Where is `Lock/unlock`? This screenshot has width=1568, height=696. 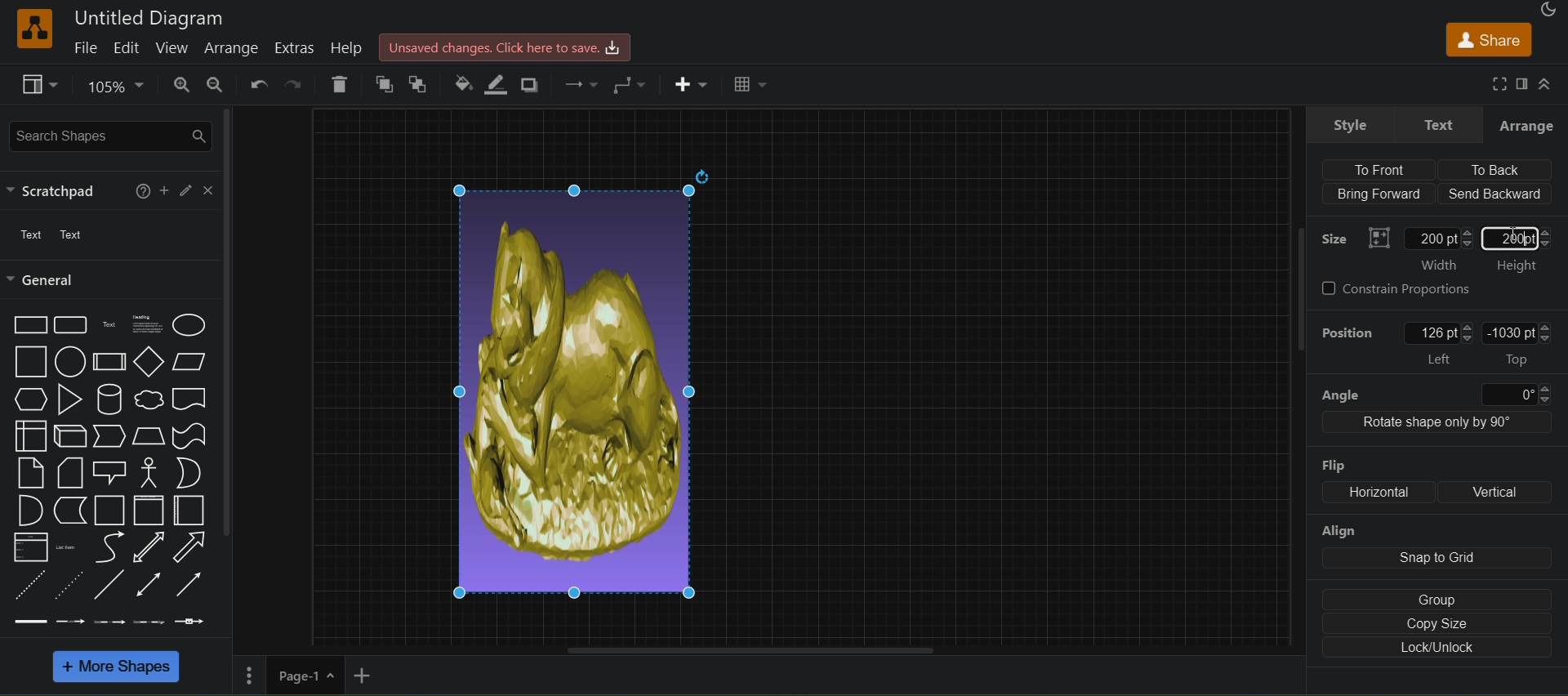
Lock/unlock is located at coordinates (1438, 649).